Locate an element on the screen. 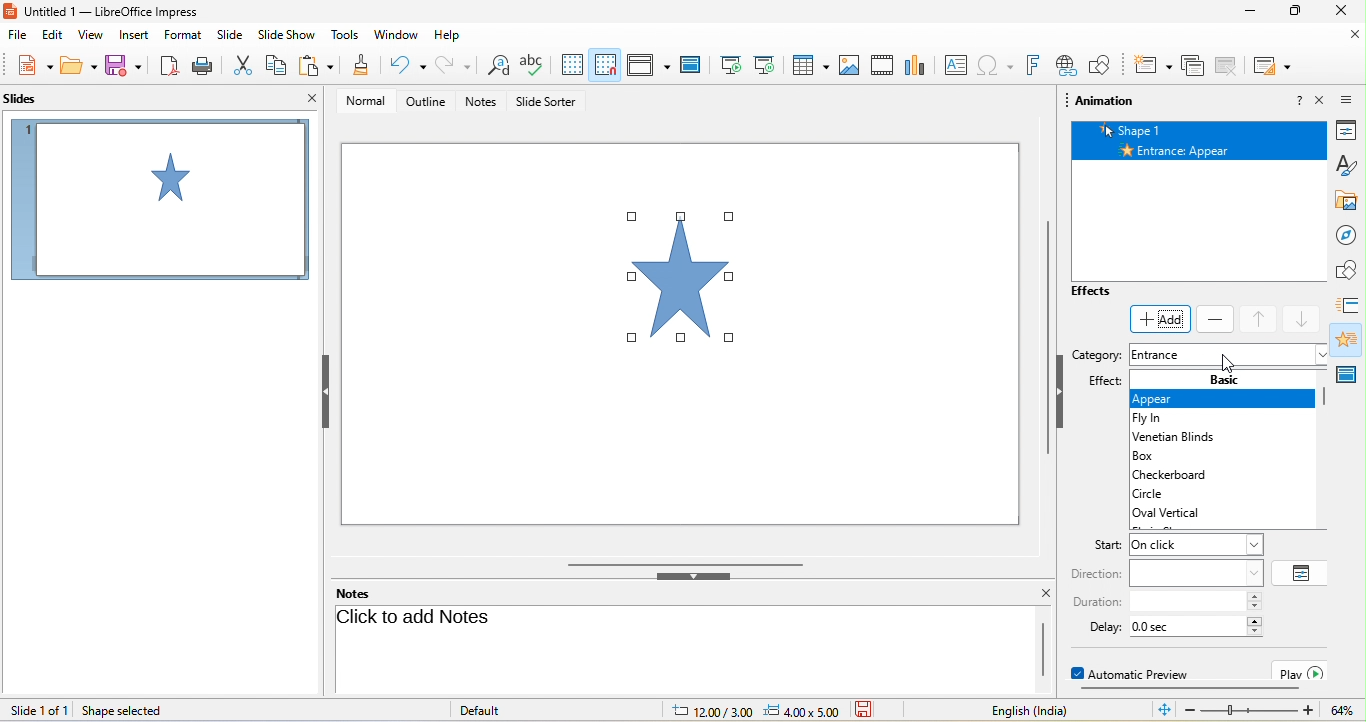 The width and height of the screenshot is (1366, 722). cut is located at coordinates (244, 65).